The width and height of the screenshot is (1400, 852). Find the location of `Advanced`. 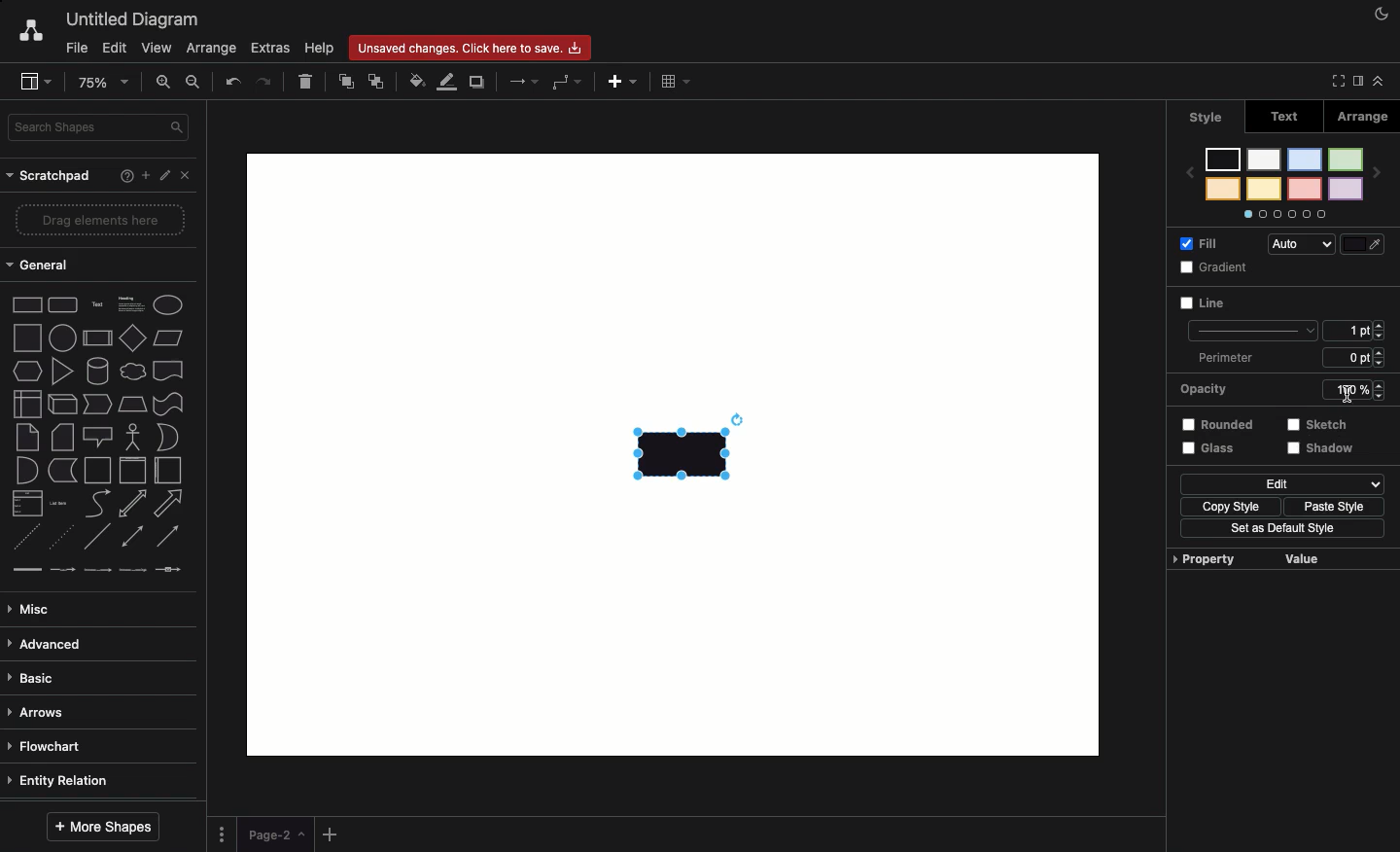

Advanced is located at coordinates (54, 644).